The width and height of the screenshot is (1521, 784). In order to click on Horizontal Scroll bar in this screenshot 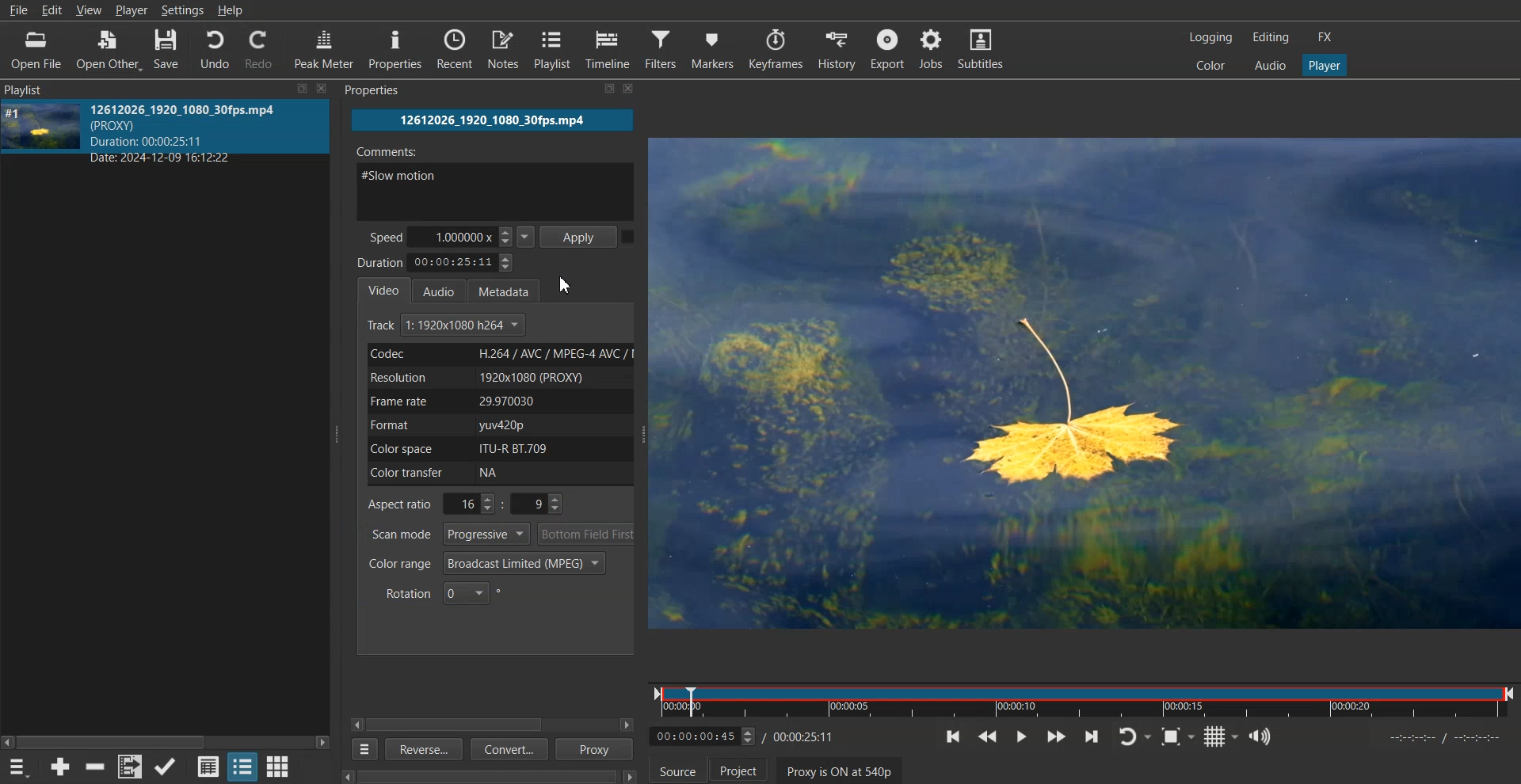, I will do `click(462, 725)`.